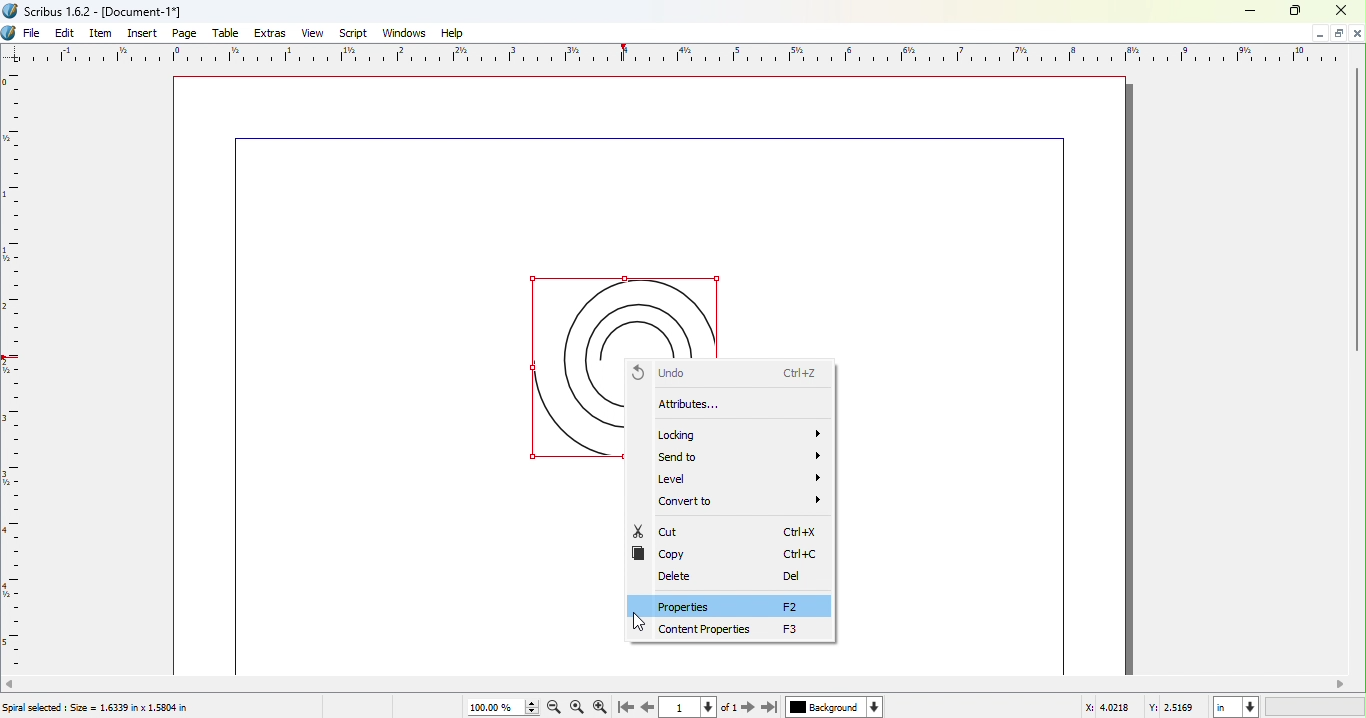  What do you see at coordinates (227, 34) in the screenshot?
I see `Table` at bounding box center [227, 34].